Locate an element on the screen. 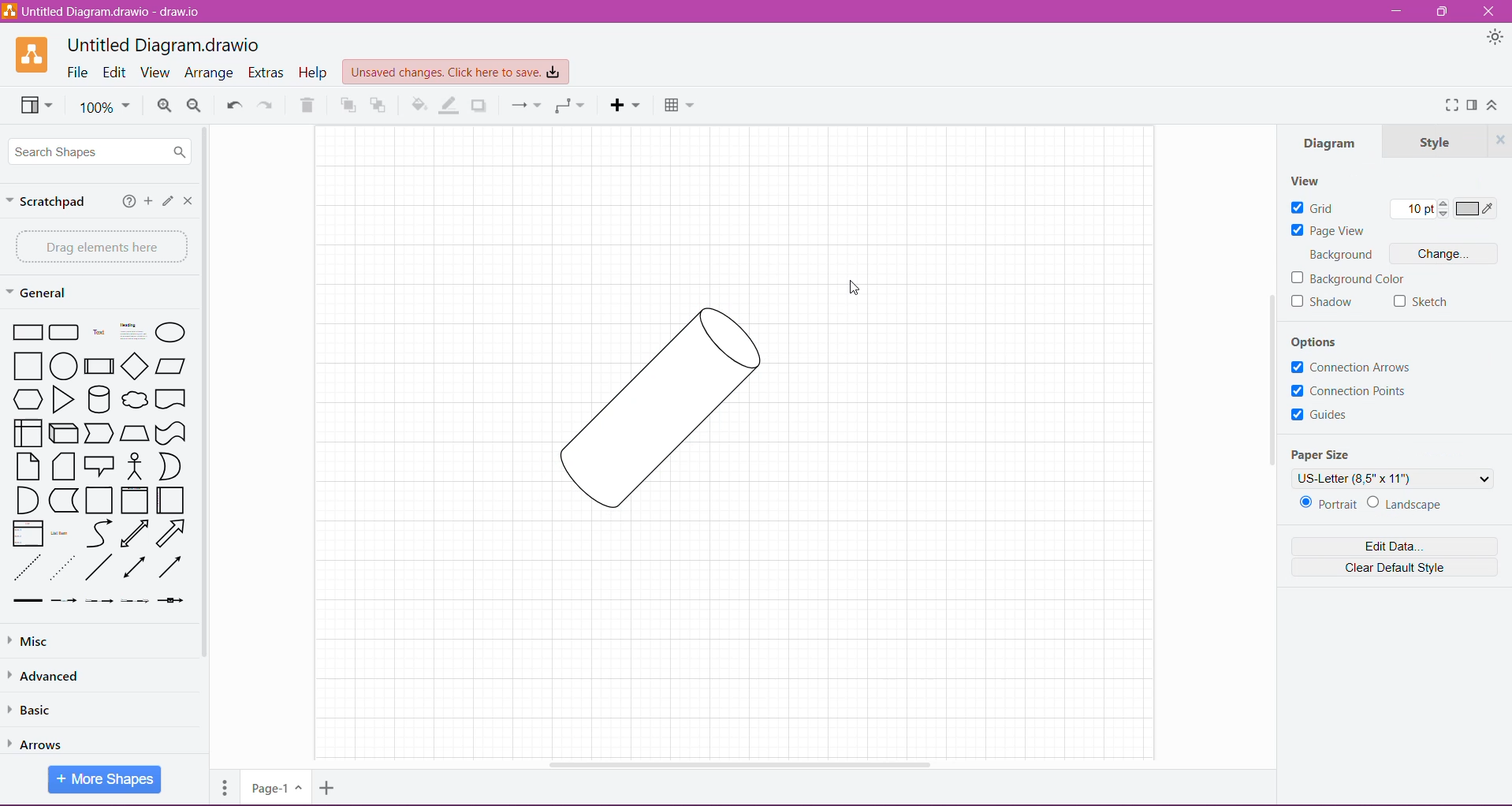 Image resolution: width=1512 pixels, height=806 pixels. Landscape is located at coordinates (1413, 506).